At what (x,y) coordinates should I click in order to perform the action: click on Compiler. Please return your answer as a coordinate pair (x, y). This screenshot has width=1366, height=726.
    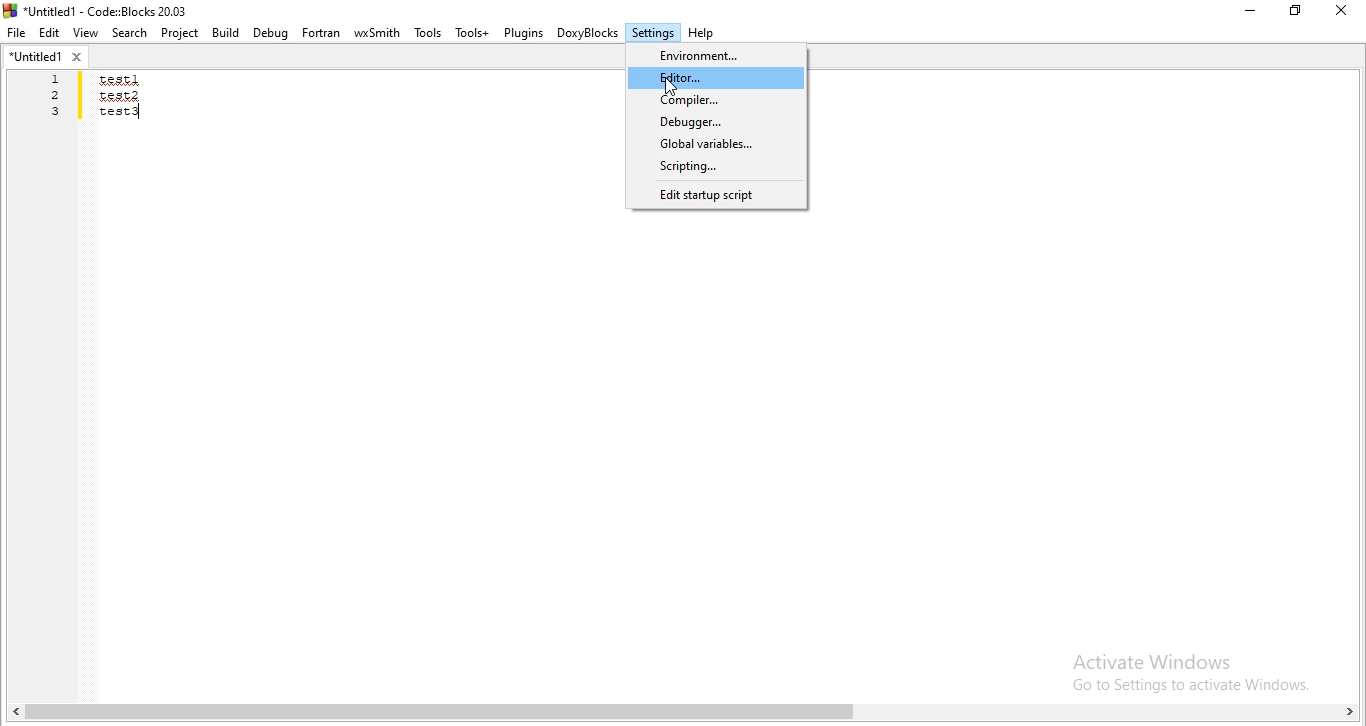
    Looking at the image, I should click on (716, 101).